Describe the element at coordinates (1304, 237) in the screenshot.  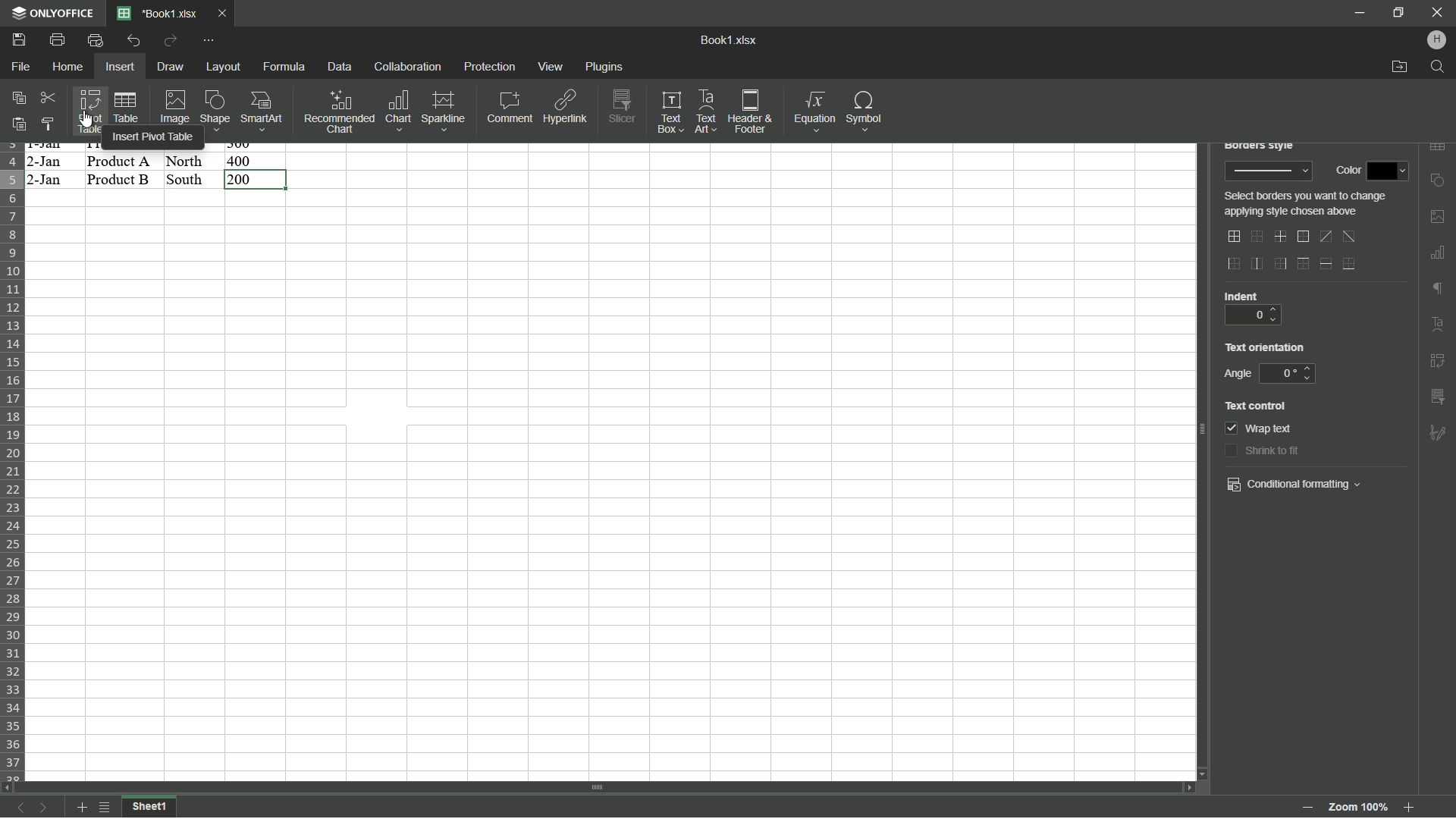
I see `outer border only` at that location.